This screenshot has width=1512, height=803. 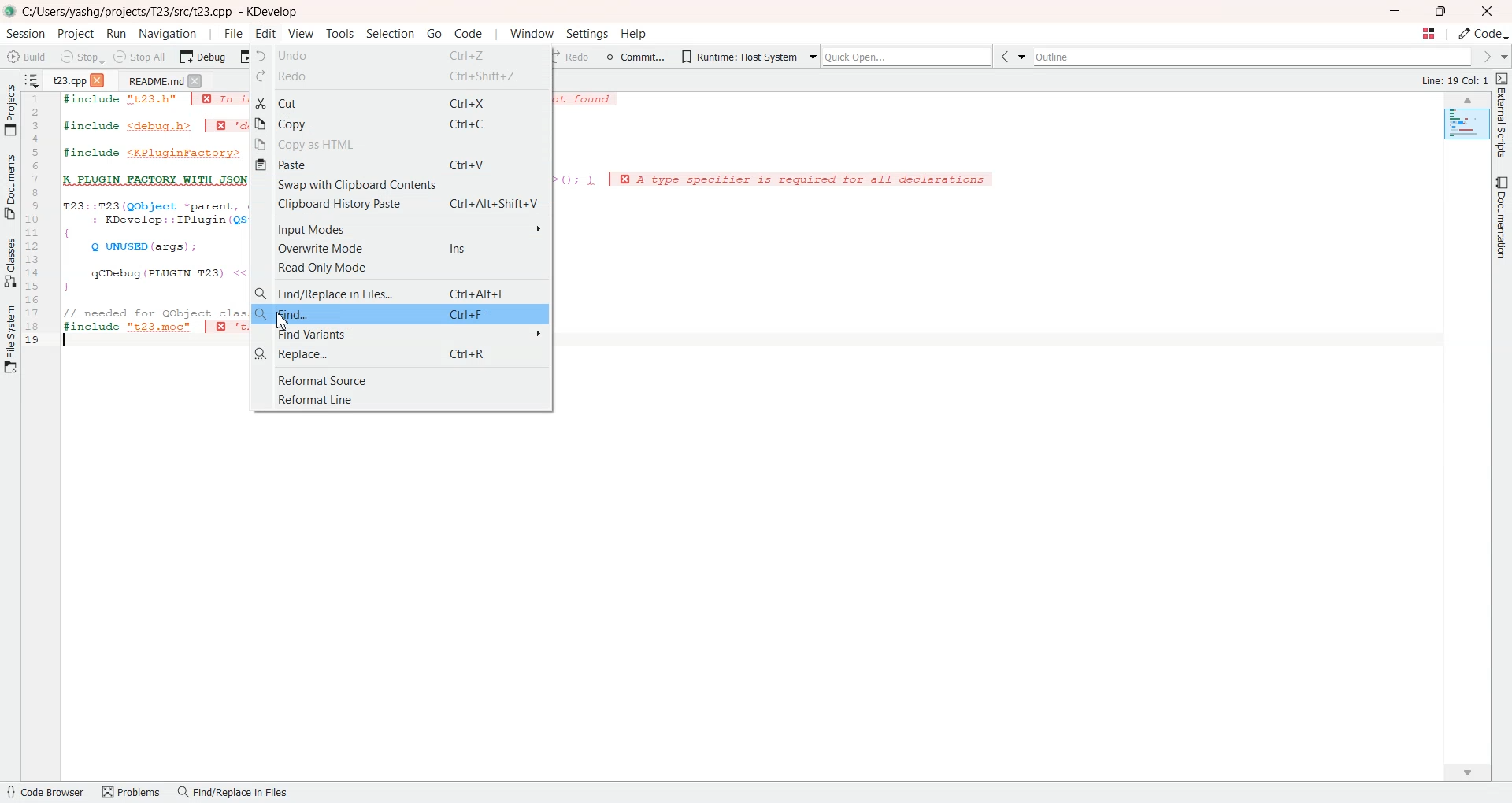 I want to click on Swap with Clipboard Contents, so click(x=402, y=186).